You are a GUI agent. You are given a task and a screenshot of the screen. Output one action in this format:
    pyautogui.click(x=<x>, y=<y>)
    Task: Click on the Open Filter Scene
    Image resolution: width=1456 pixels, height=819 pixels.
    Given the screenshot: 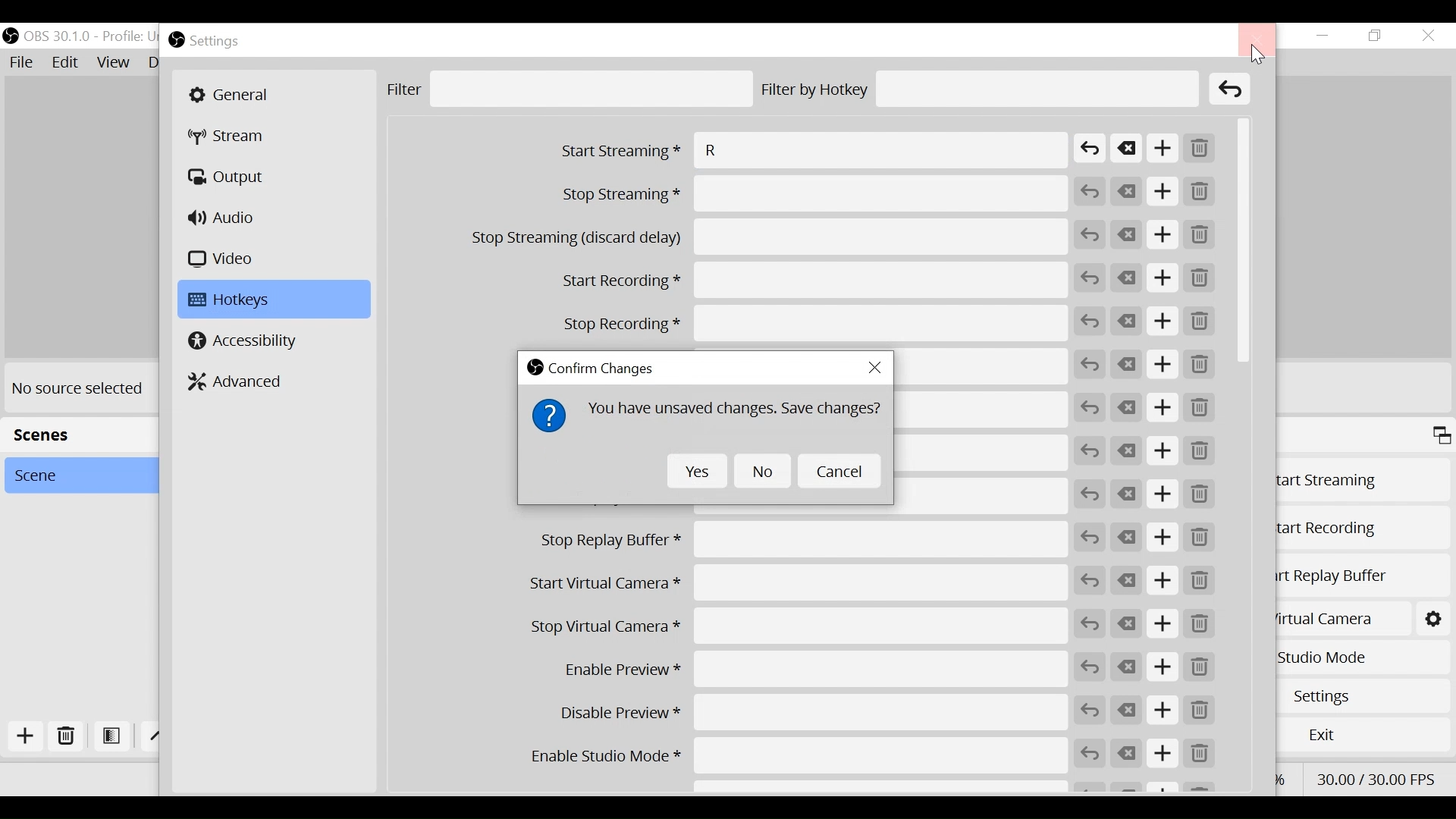 What is the action you would take?
    pyautogui.click(x=112, y=736)
    